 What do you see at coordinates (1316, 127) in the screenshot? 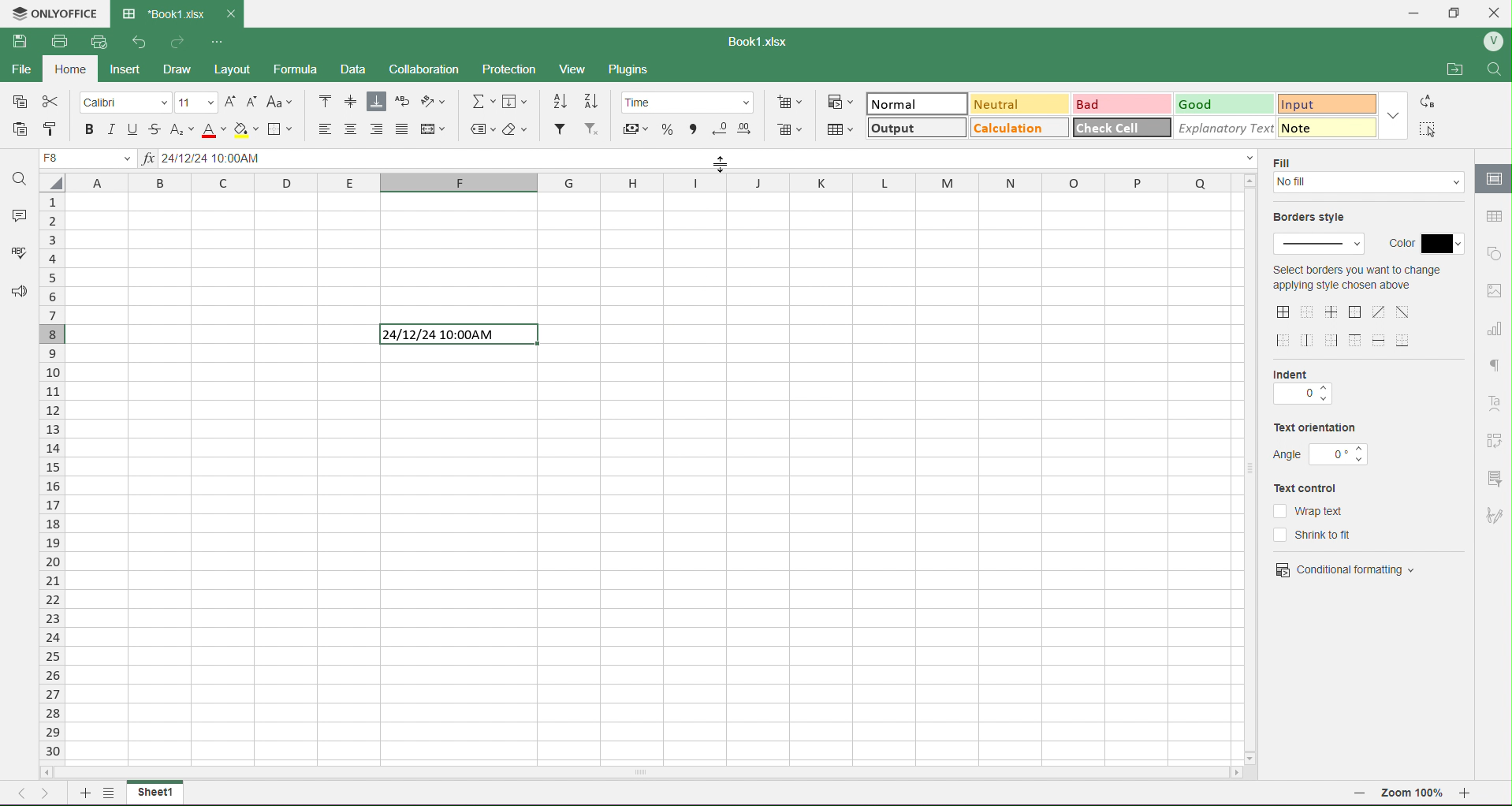
I see `note` at bounding box center [1316, 127].